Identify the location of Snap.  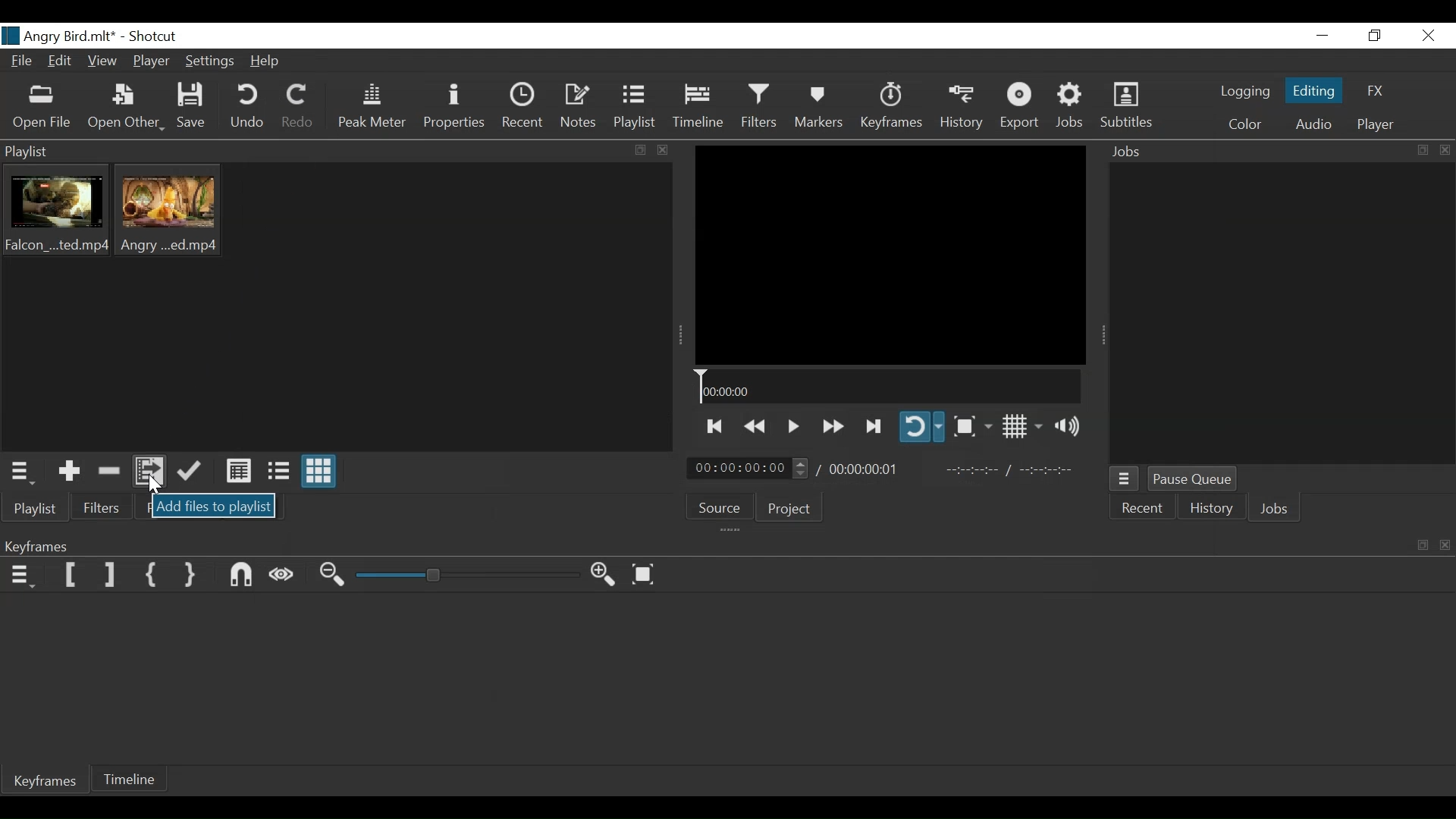
(243, 576).